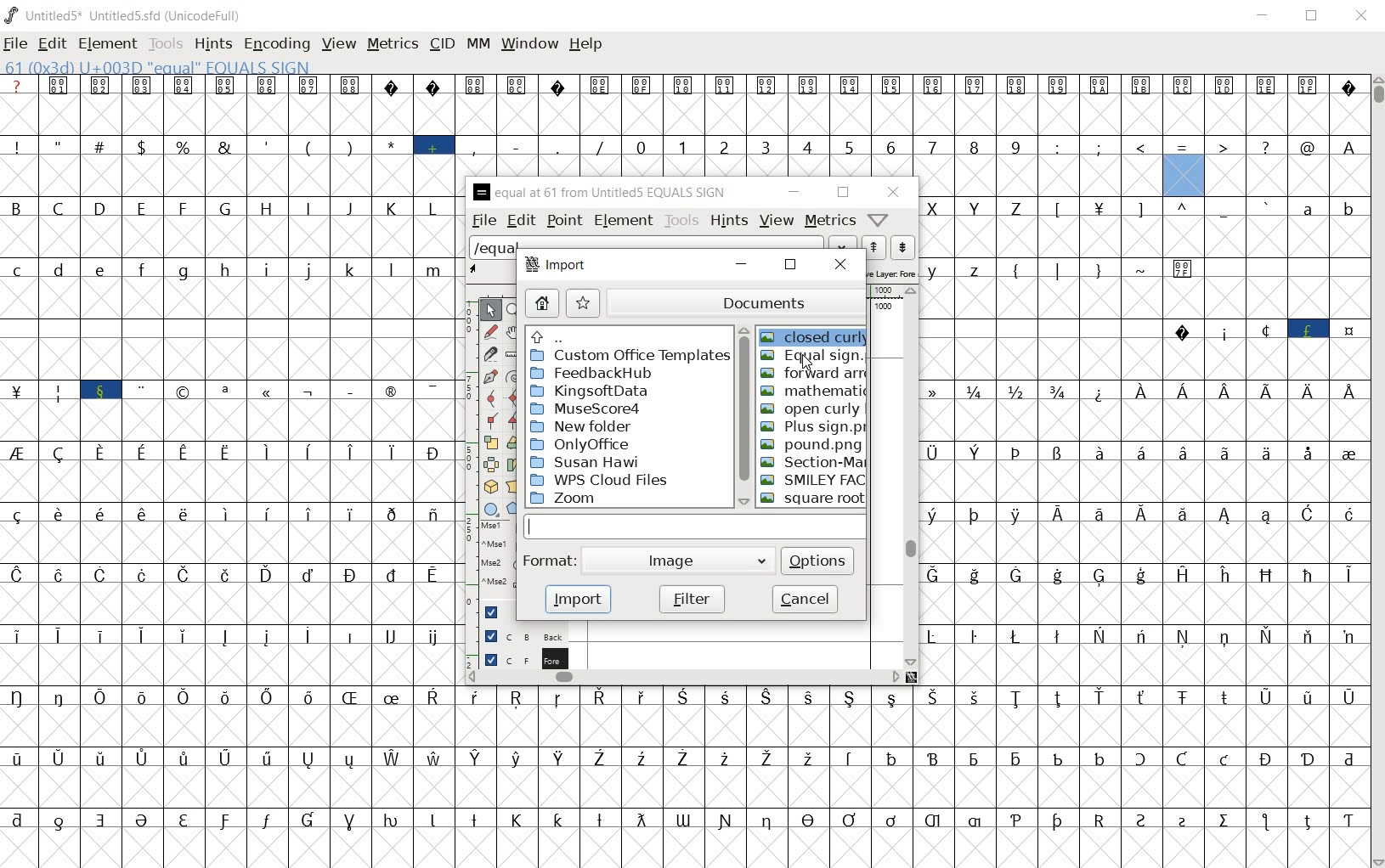  What do you see at coordinates (904, 247) in the screenshot?
I see `show the previous word on the list` at bounding box center [904, 247].